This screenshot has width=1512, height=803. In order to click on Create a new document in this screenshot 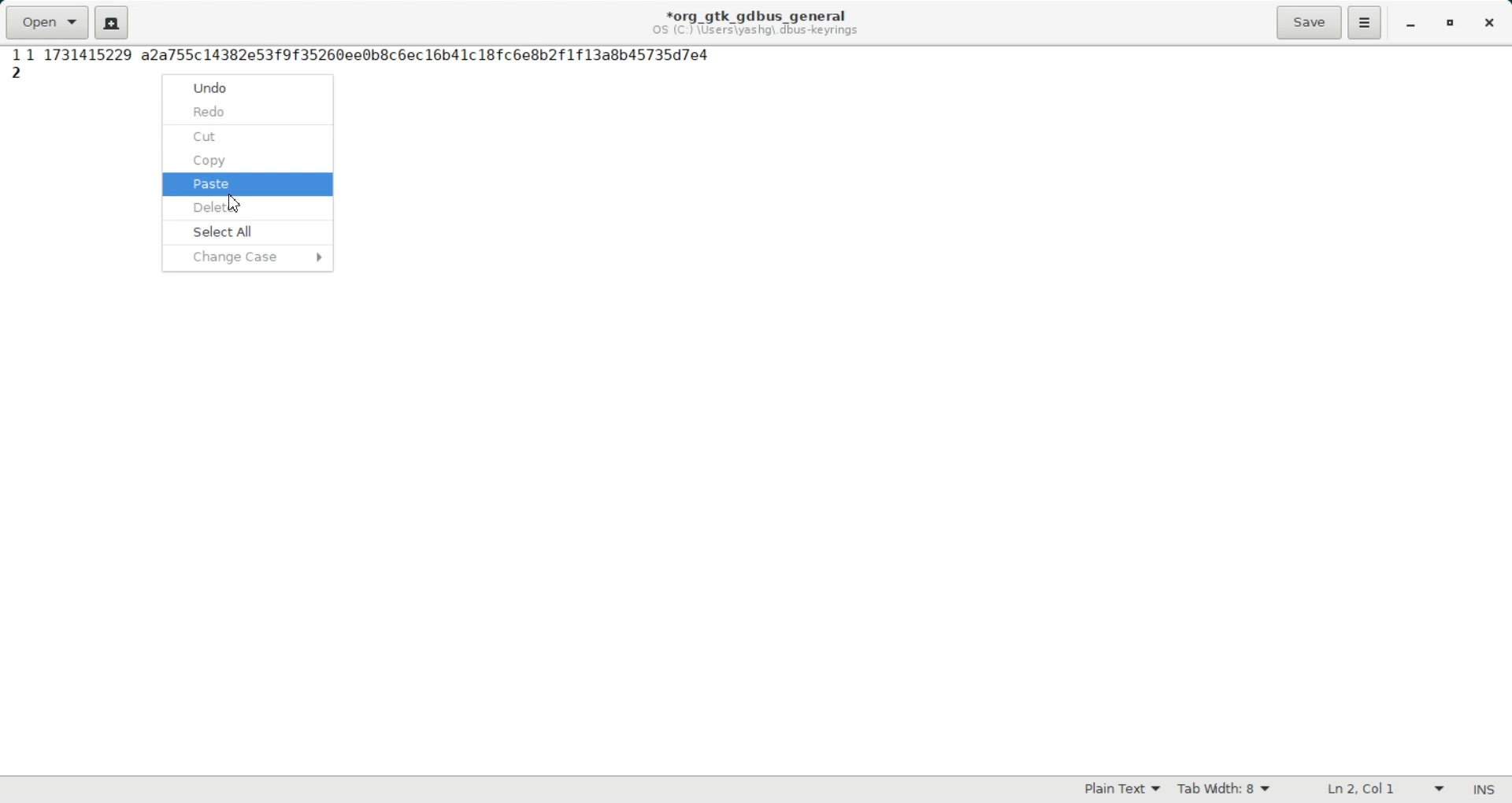, I will do `click(112, 22)`.